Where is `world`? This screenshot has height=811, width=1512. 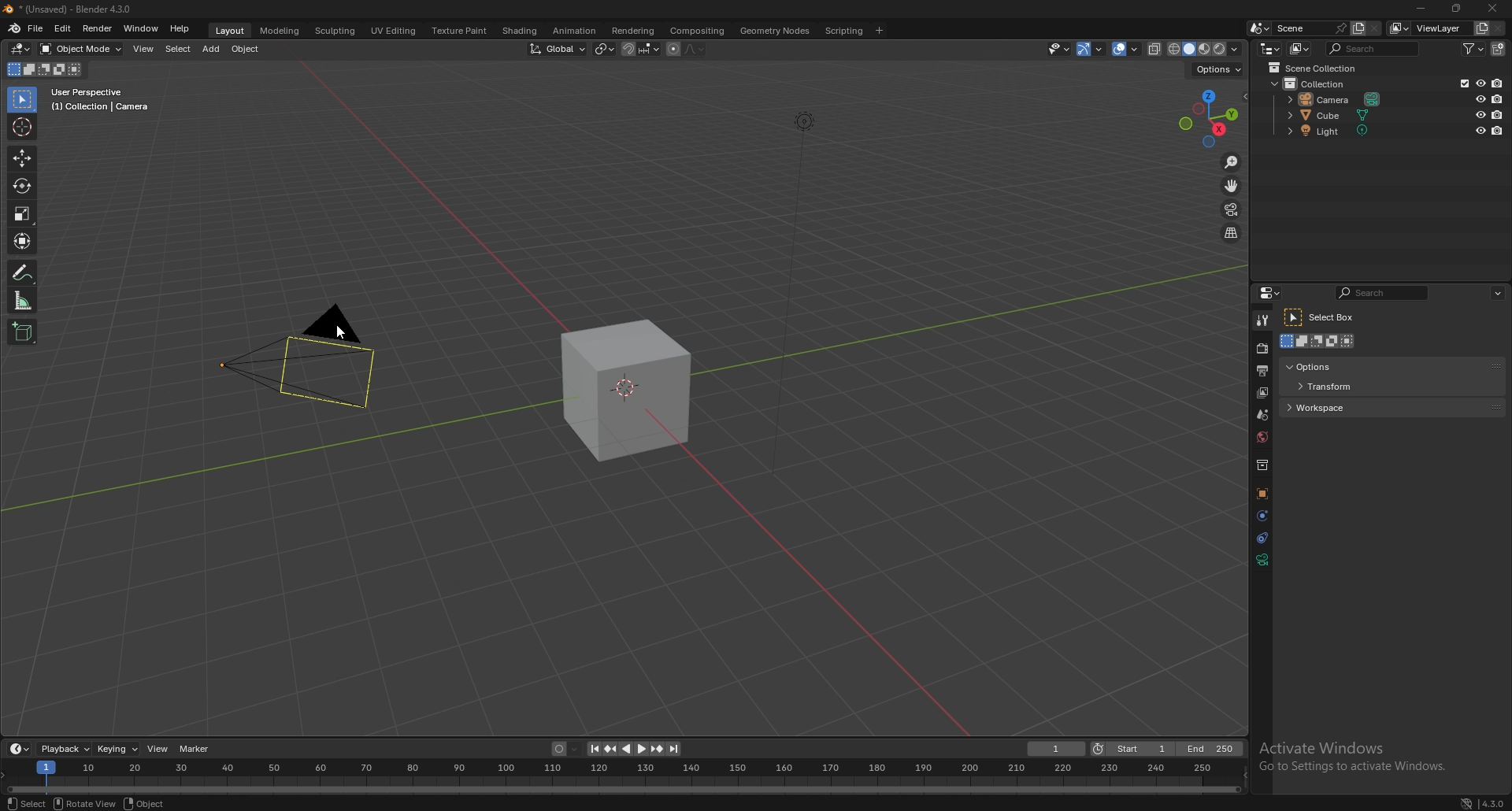
world is located at coordinates (1263, 438).